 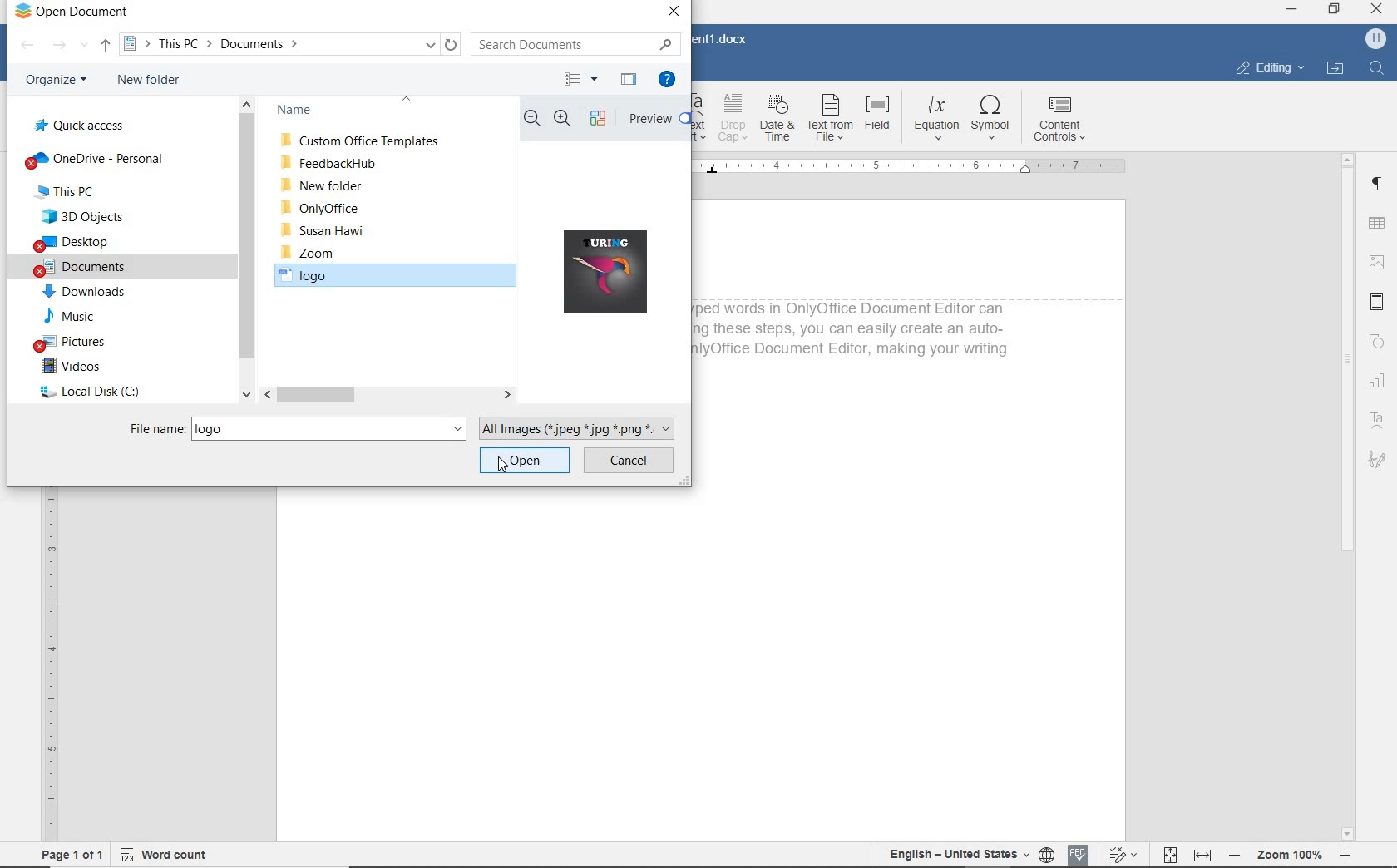 I want to click on SEARCH DOCUMENT, so click(x=570, y=43).